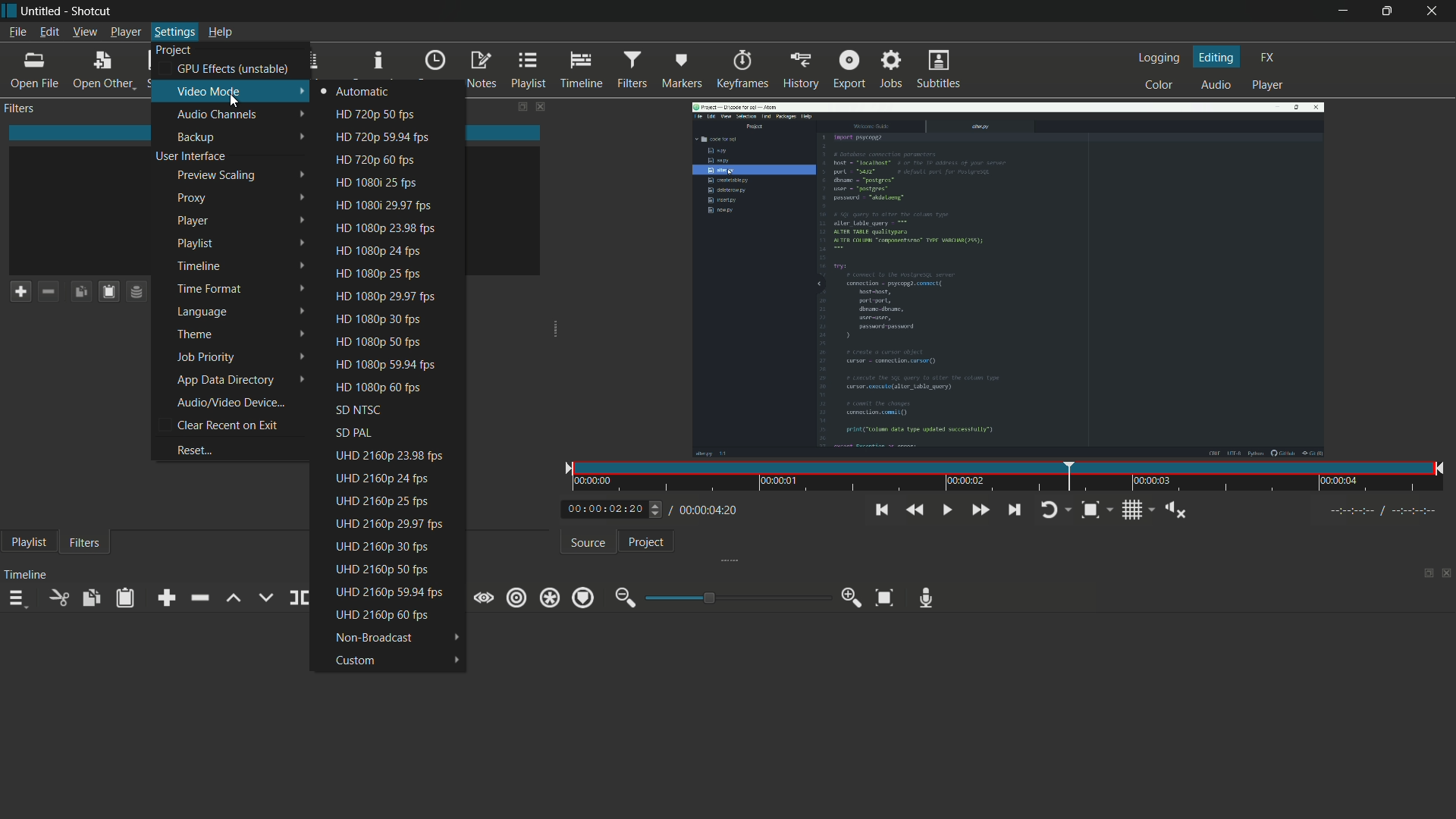 The width and height of the screenshot is (1456, 819). What do you see at coordinates (435, 64) in the screenshot?
I see `recent` at bounding box center [435, 64].